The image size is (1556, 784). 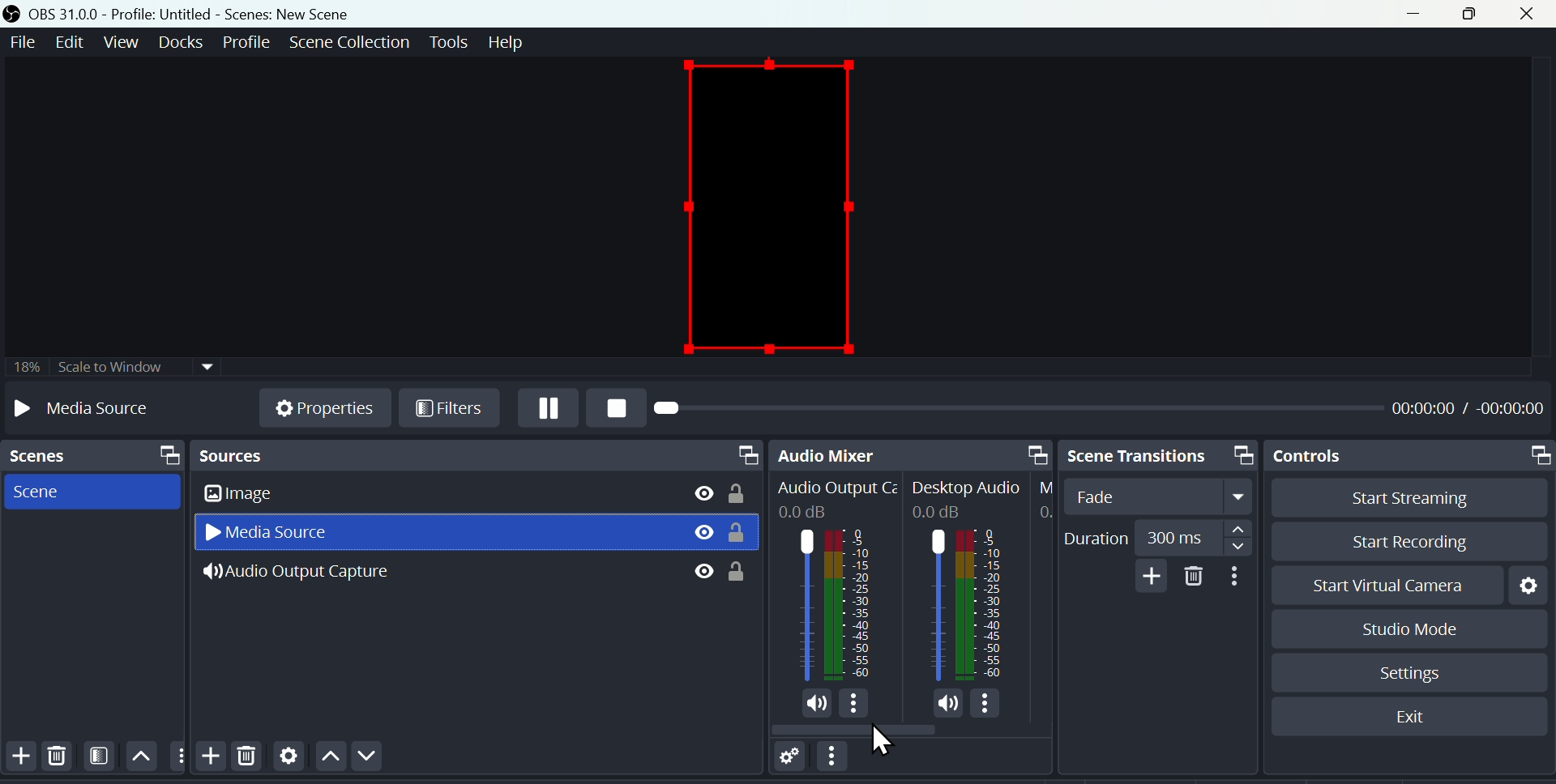 What do you see at coordinates (325, 404) in the screenshot?
I see `Properties` at bounding box center [325, 404].